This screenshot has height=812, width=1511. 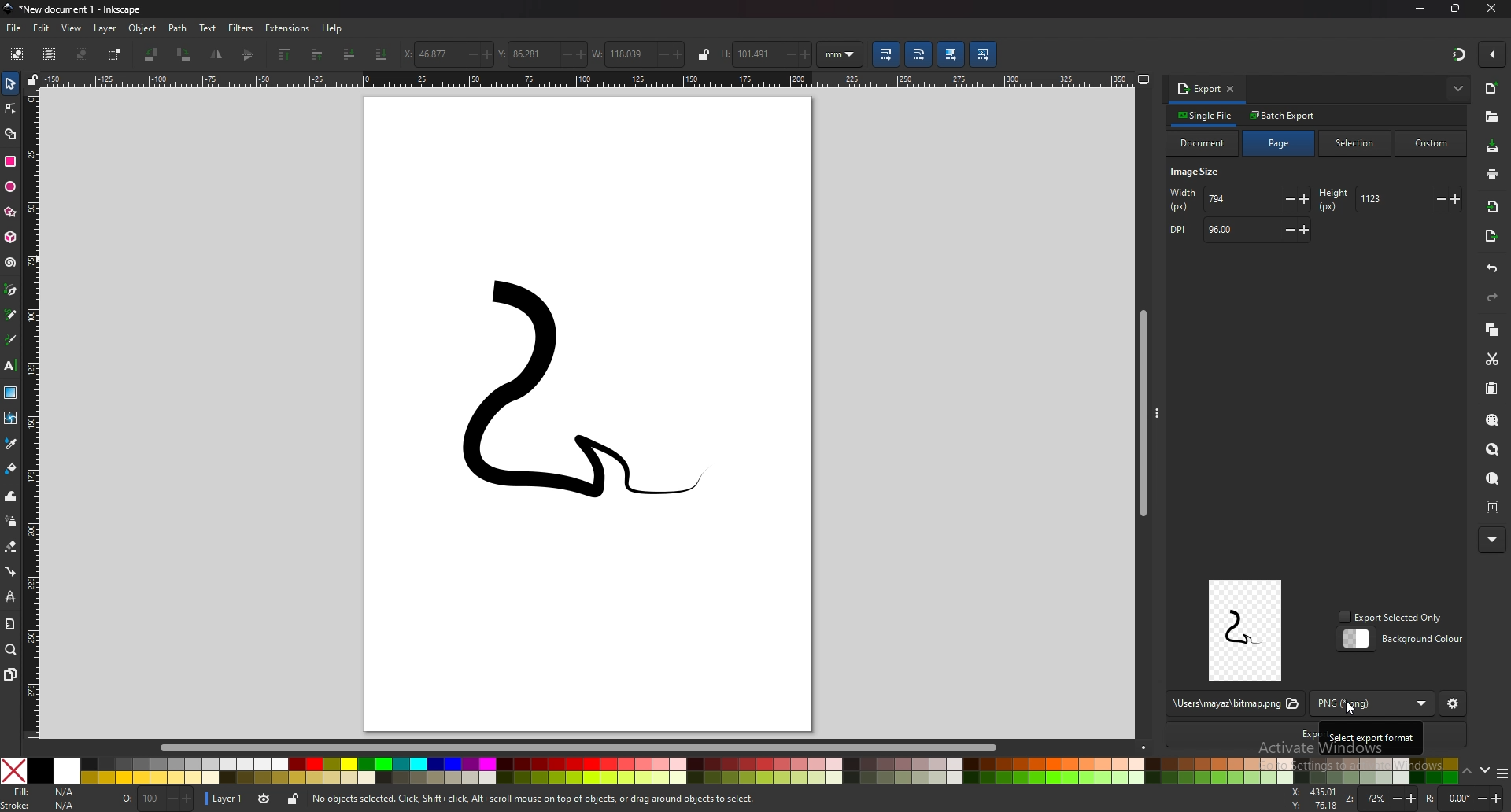 I want to click on close tab, so click(x=1232, y=88).